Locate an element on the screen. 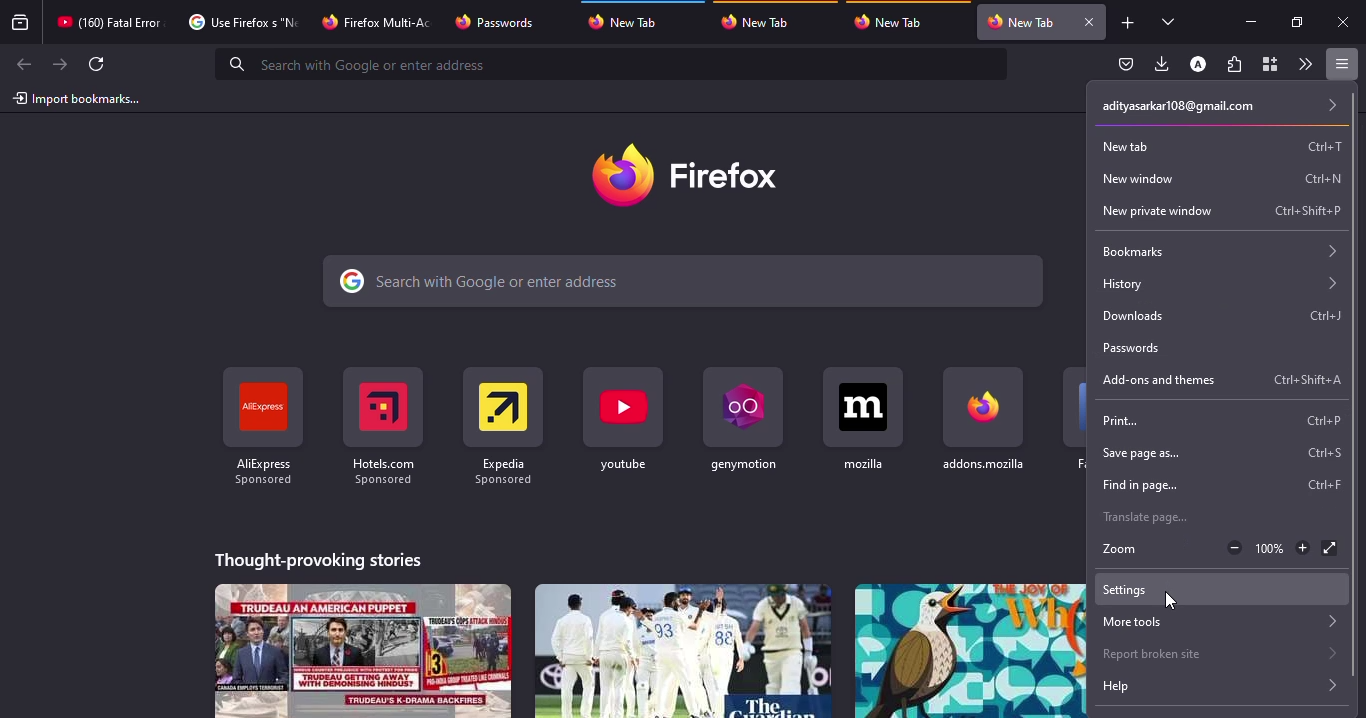 The image size is (1366, 718). shortcut is located at coordinates (625, 420).